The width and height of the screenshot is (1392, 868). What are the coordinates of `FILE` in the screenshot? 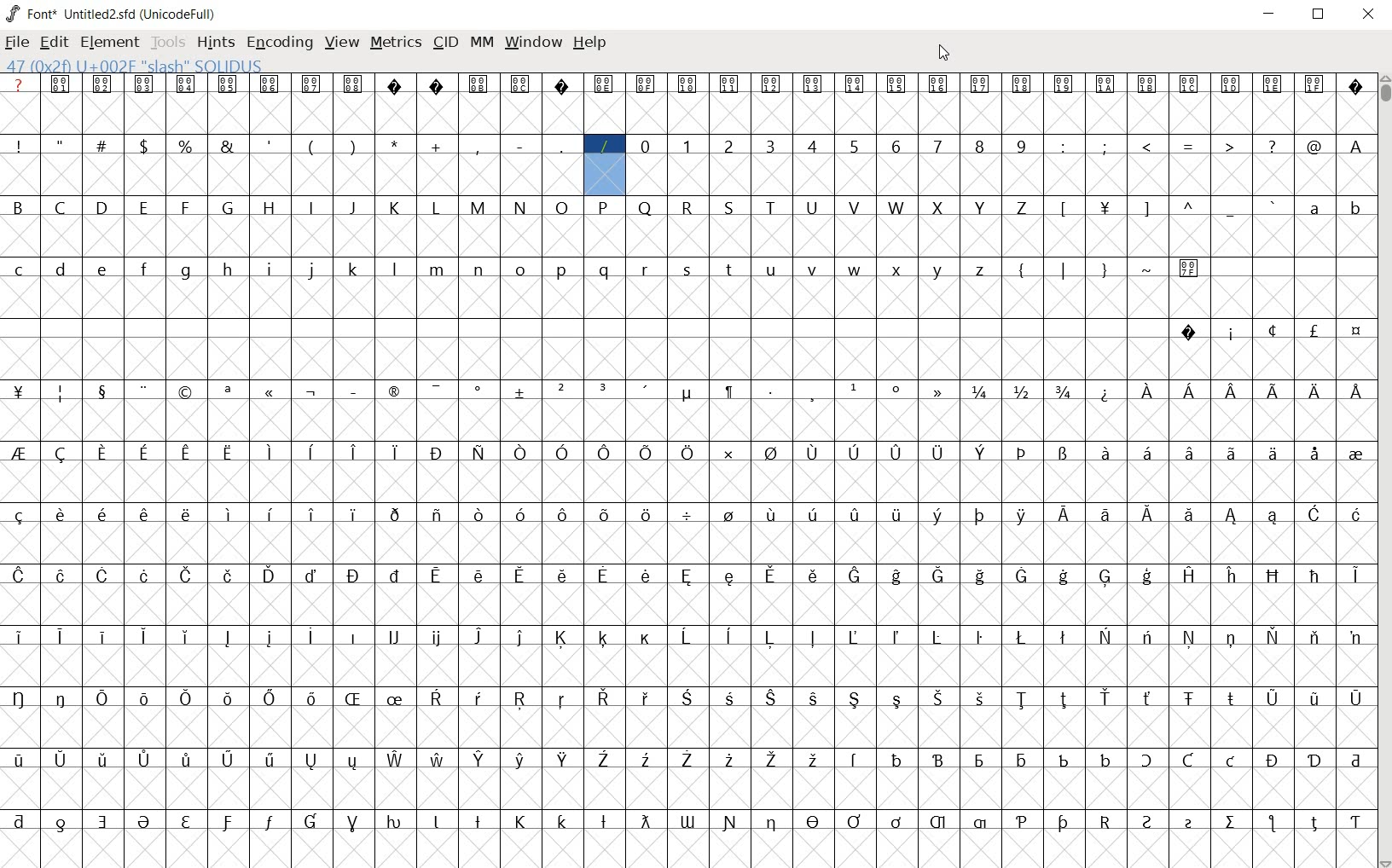 It's located at (18, 42).